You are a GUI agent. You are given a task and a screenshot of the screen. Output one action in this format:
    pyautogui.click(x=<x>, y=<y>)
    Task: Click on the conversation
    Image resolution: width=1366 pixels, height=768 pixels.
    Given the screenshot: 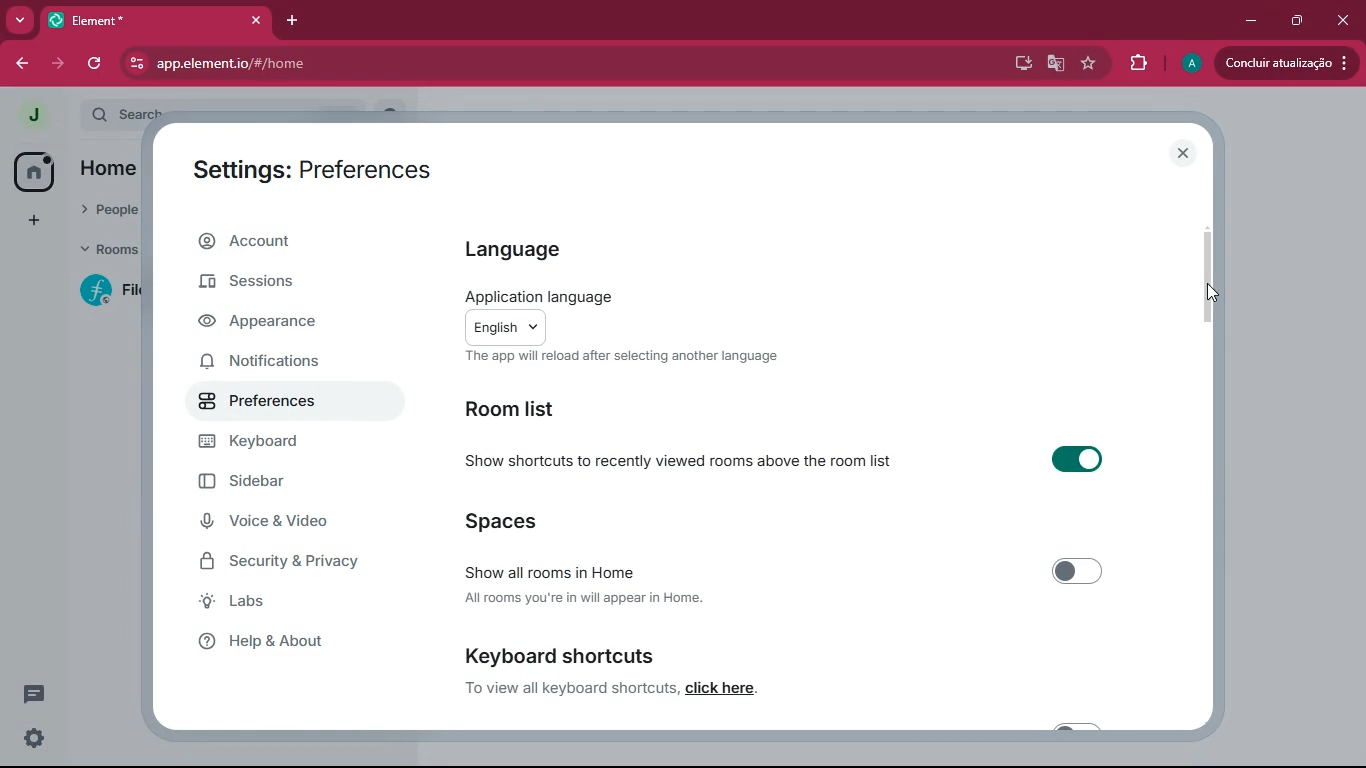 What is the action you would take?
    pyautogui.click(x=33, y=697)
    